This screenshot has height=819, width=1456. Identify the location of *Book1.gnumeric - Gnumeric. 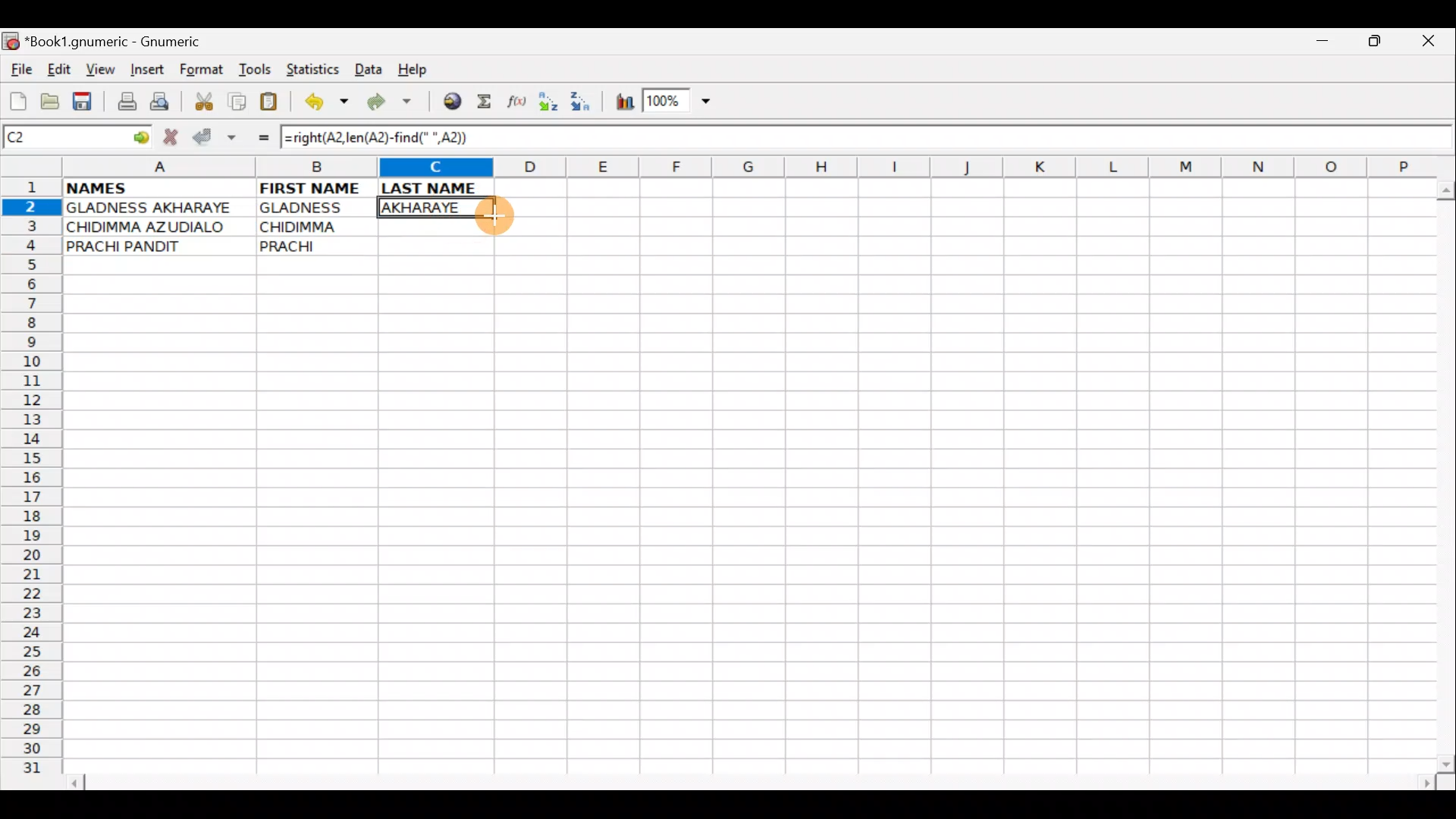
(127, 42).